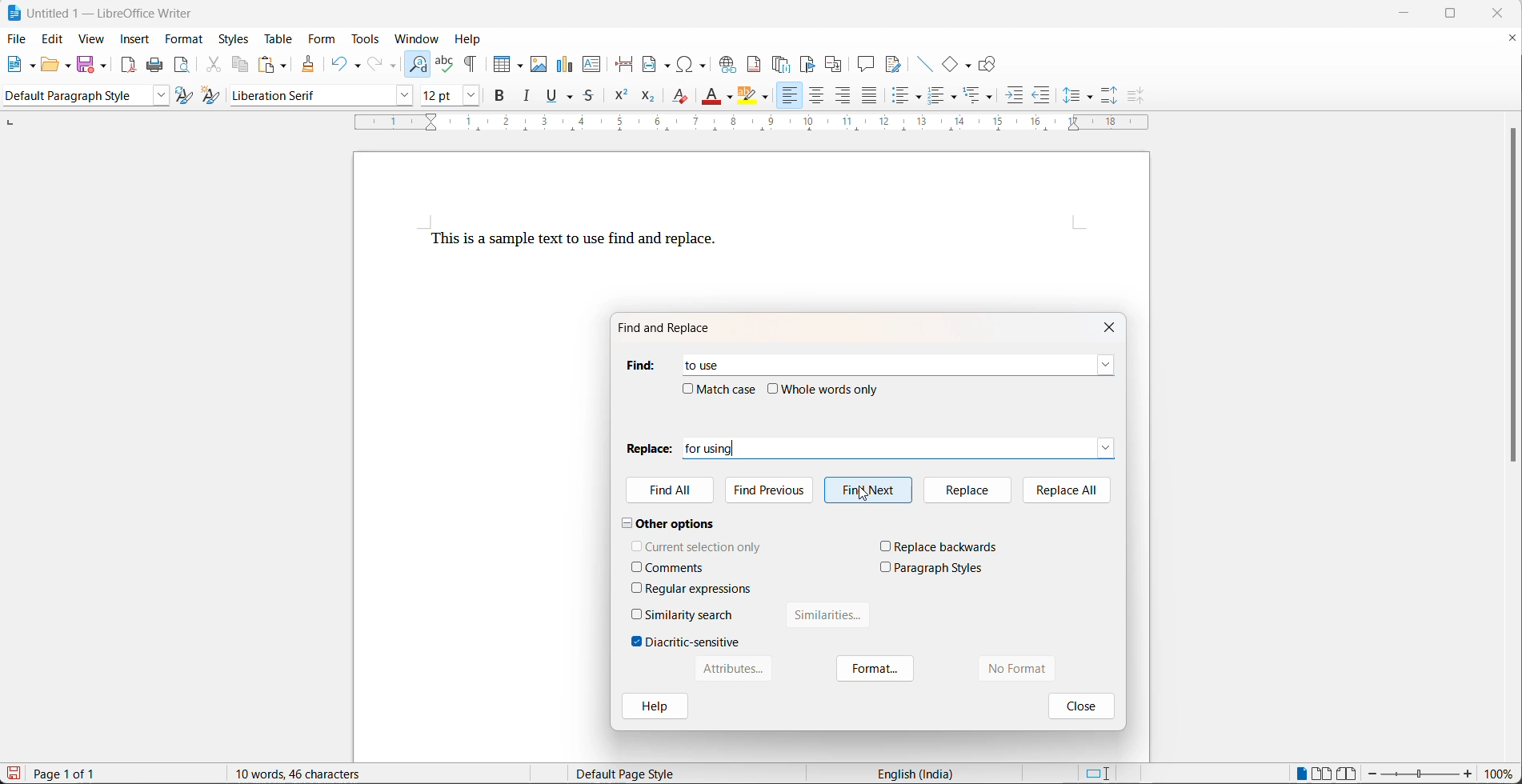 This screenshot has width=1522, height=784. I want to click on find dropdown button, so click(1106, 365).